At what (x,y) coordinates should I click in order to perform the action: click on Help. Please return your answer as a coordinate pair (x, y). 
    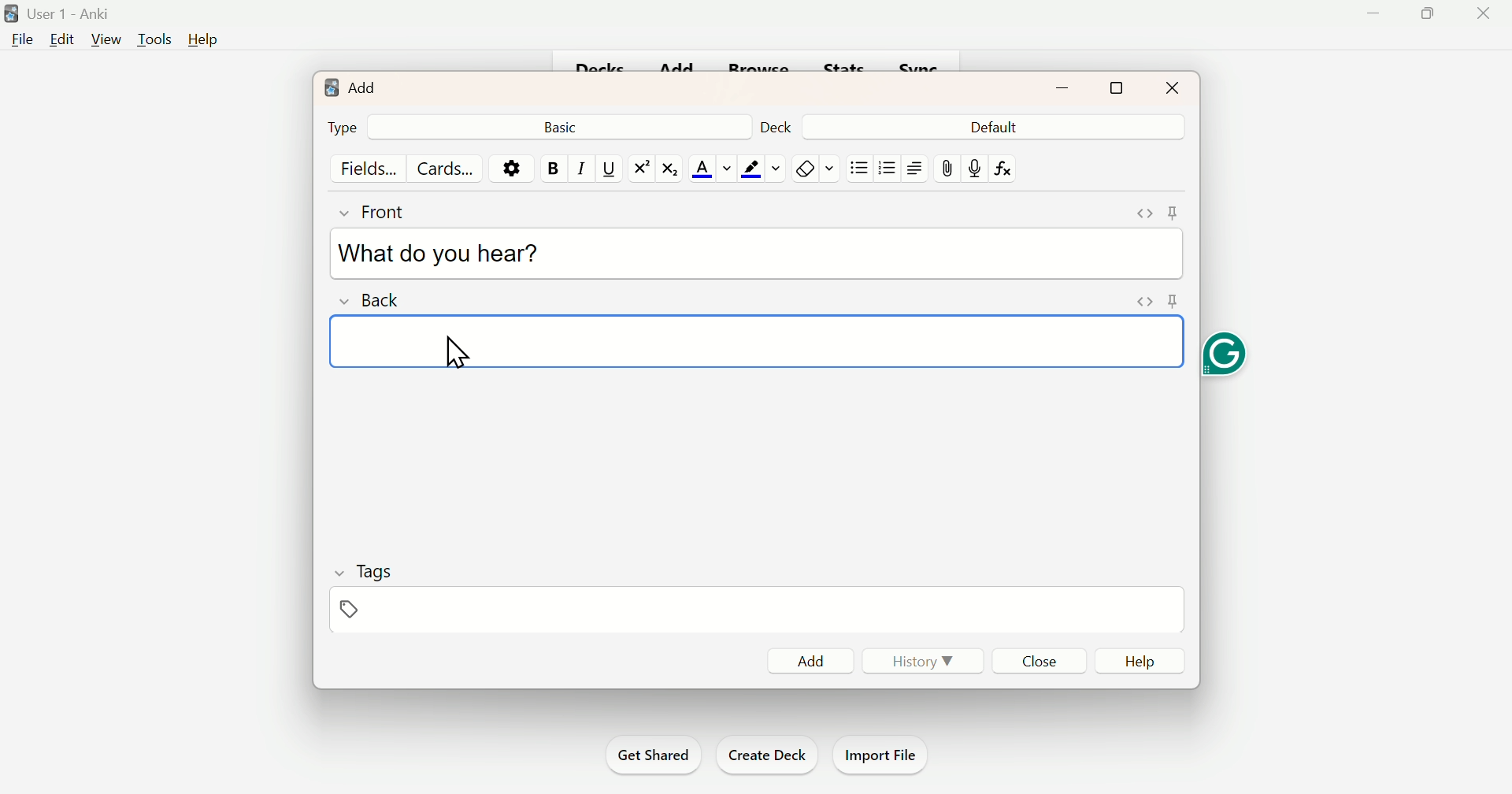
    Looking at the image, I should click on (203, 36).